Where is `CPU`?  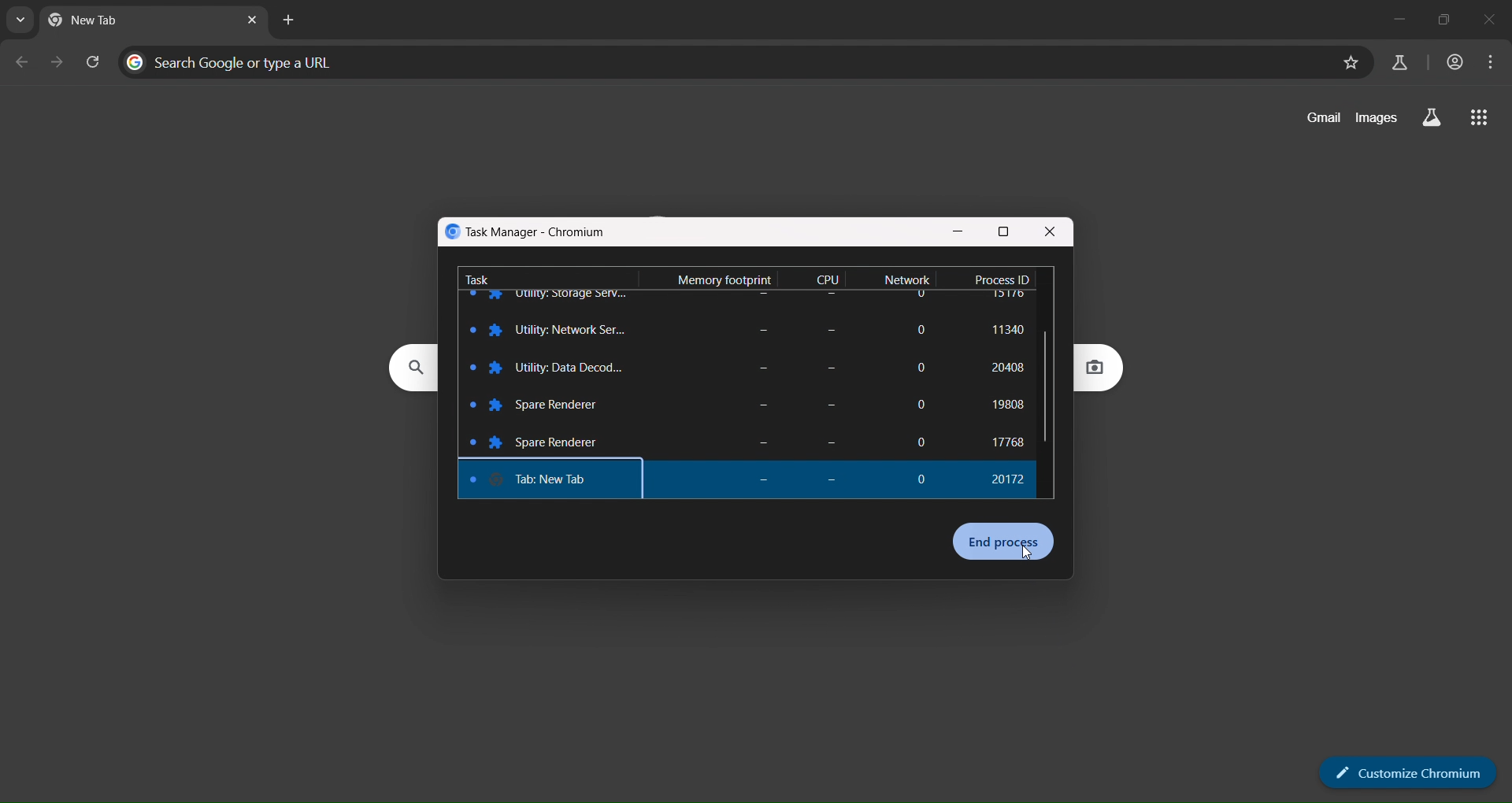
CPU is located at coordinates (830, 278).